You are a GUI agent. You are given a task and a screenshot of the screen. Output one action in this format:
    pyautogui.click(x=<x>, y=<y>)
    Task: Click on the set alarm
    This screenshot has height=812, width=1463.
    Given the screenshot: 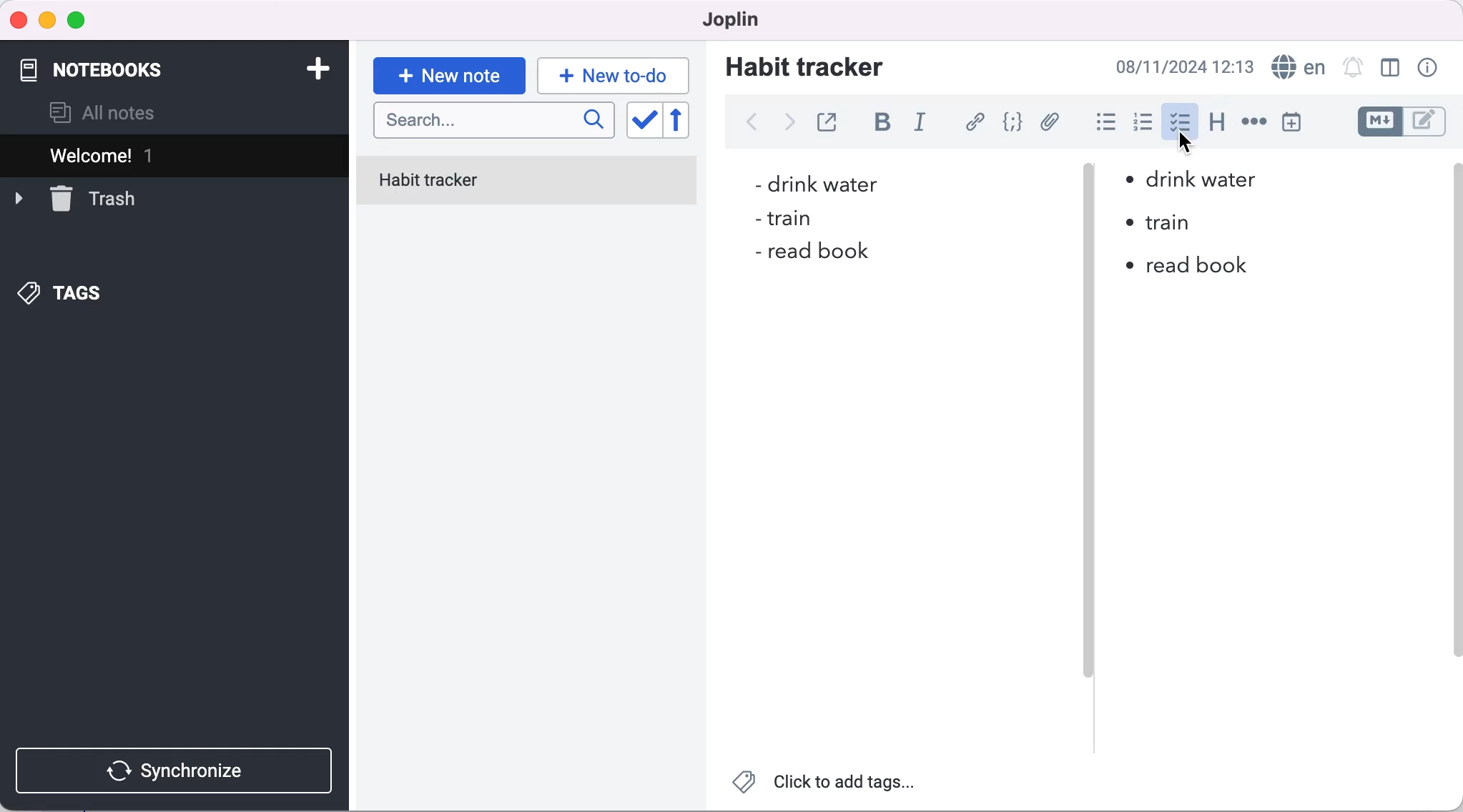 What is the action you would take?
    pyautogui.click(x=1352, y=66)
    